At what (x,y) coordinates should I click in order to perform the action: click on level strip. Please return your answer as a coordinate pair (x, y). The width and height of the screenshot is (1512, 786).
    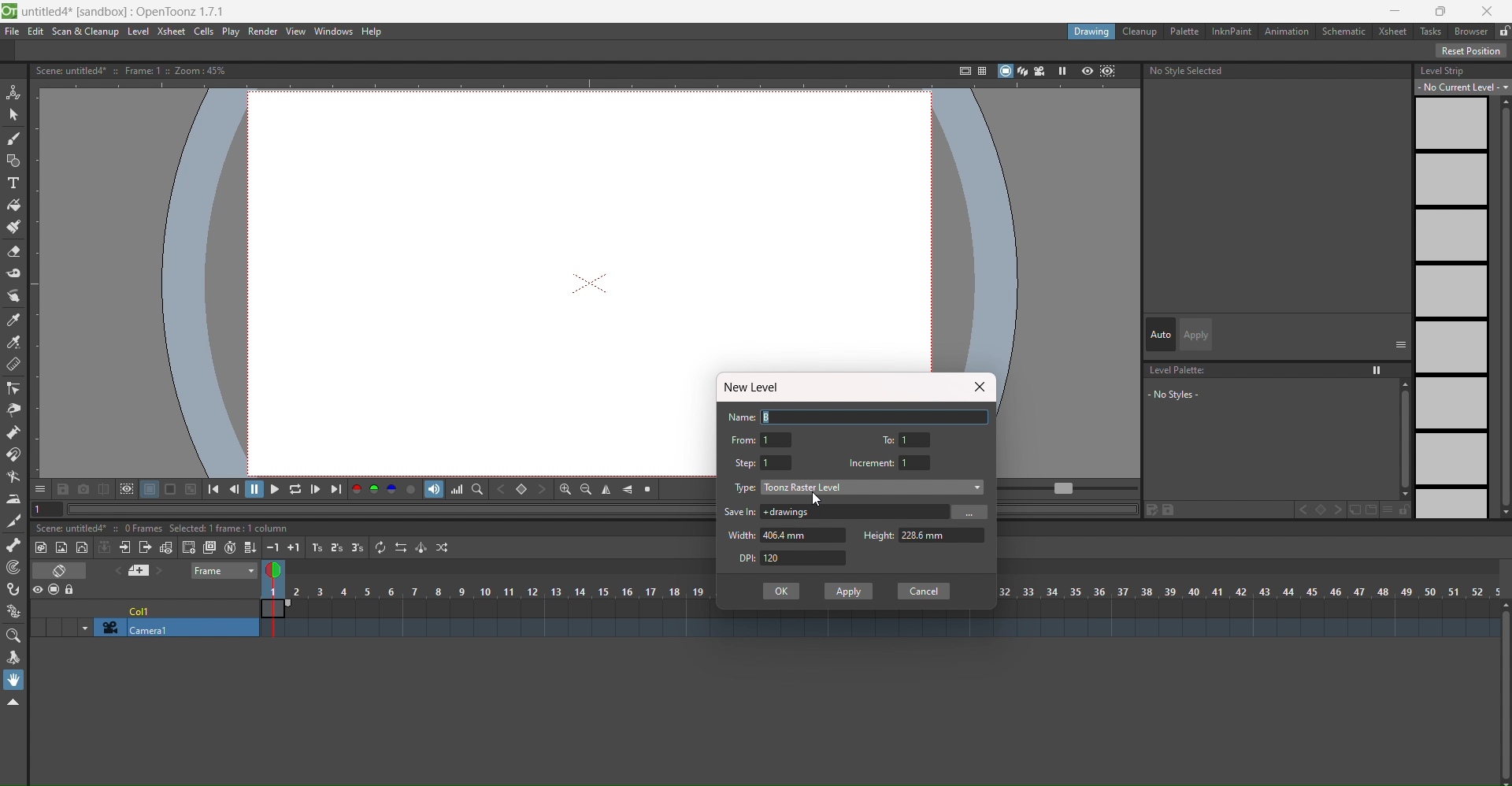
    Looking at the image, I should click on (1443, 70).